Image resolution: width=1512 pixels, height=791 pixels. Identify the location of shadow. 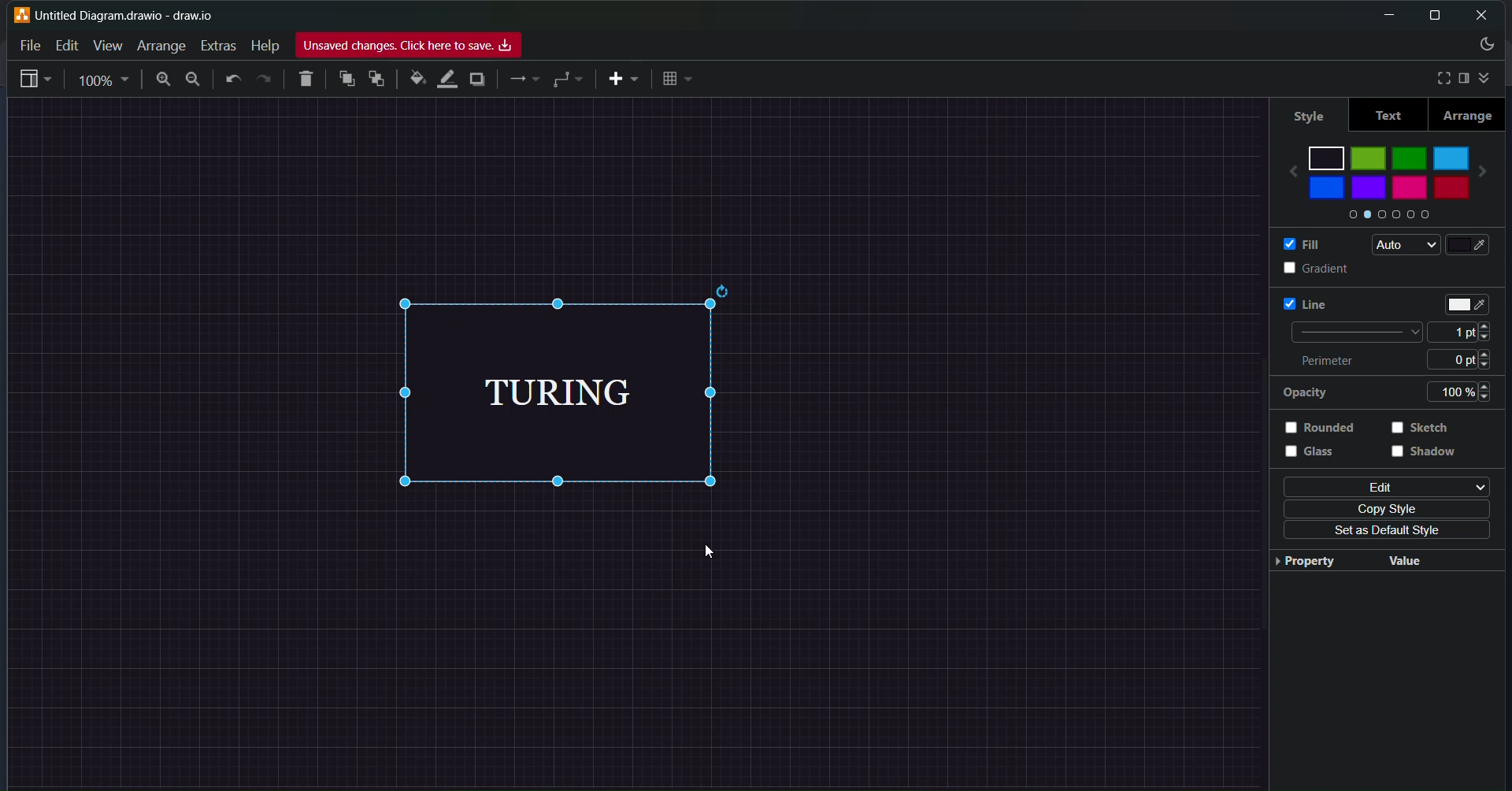
(478, 81).